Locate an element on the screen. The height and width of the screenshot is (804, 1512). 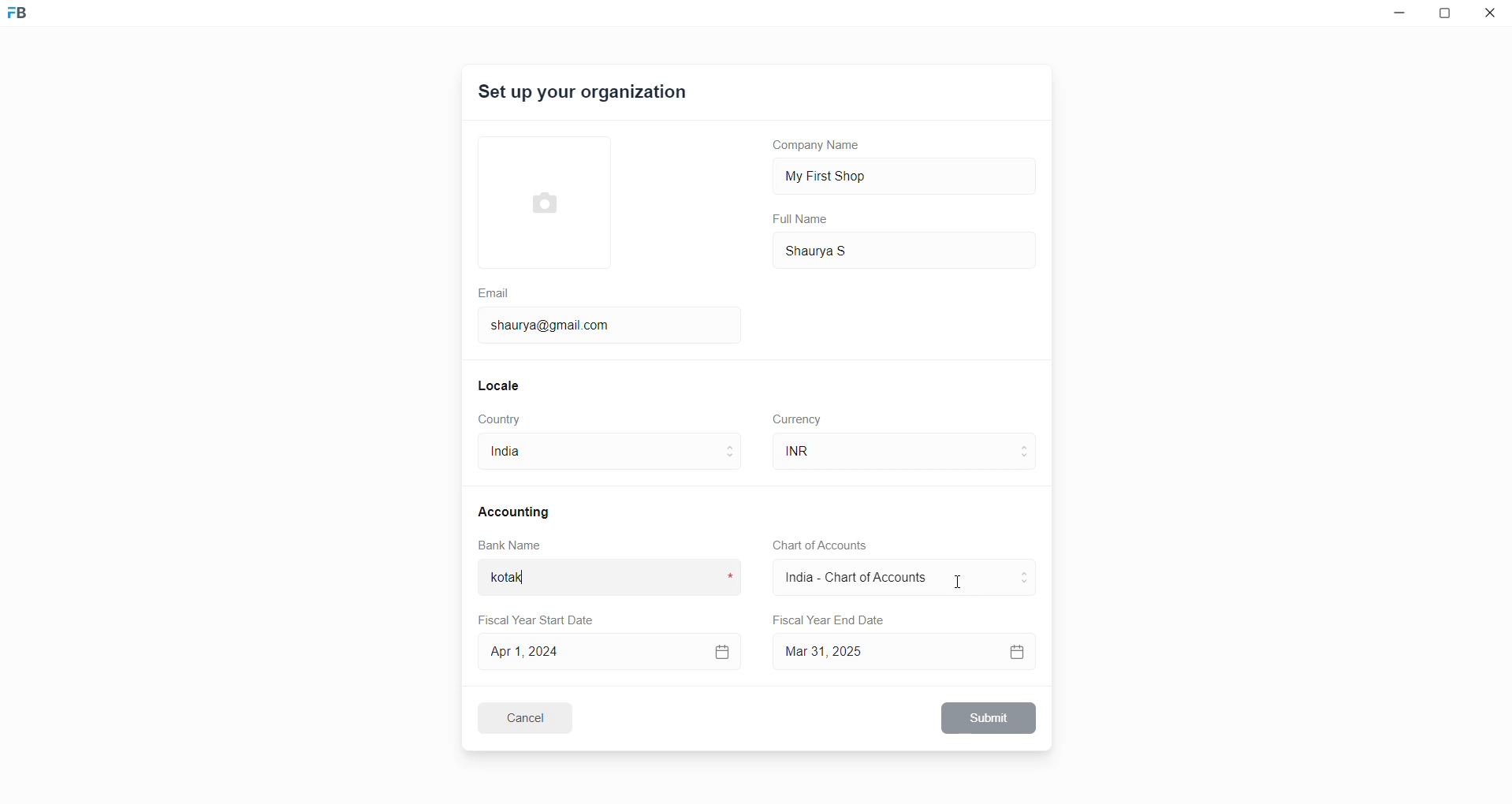
Cancel  is located at coordinates (535, 717).